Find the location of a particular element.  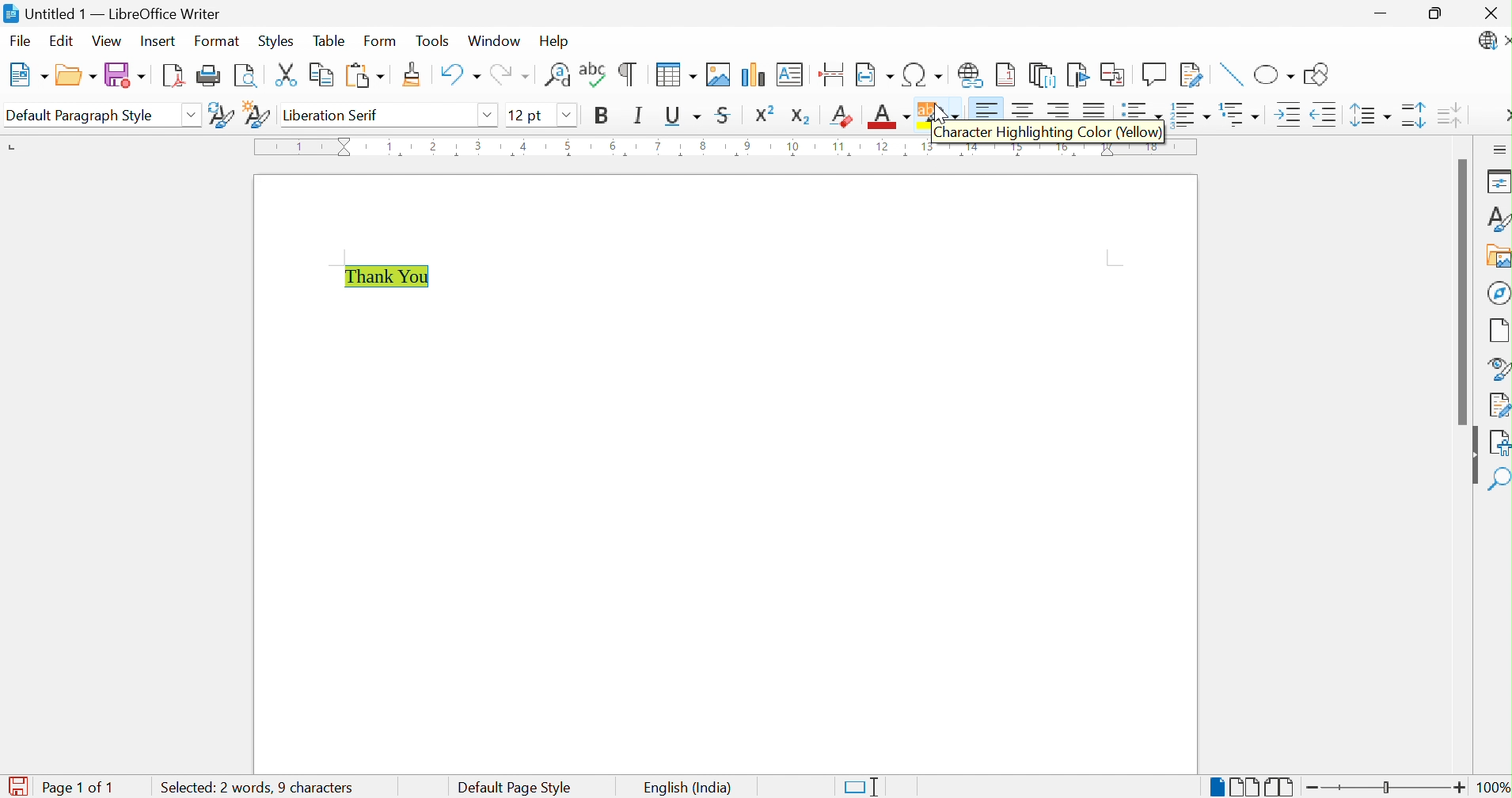

Default Page Style is located at coordinates (516, 786).